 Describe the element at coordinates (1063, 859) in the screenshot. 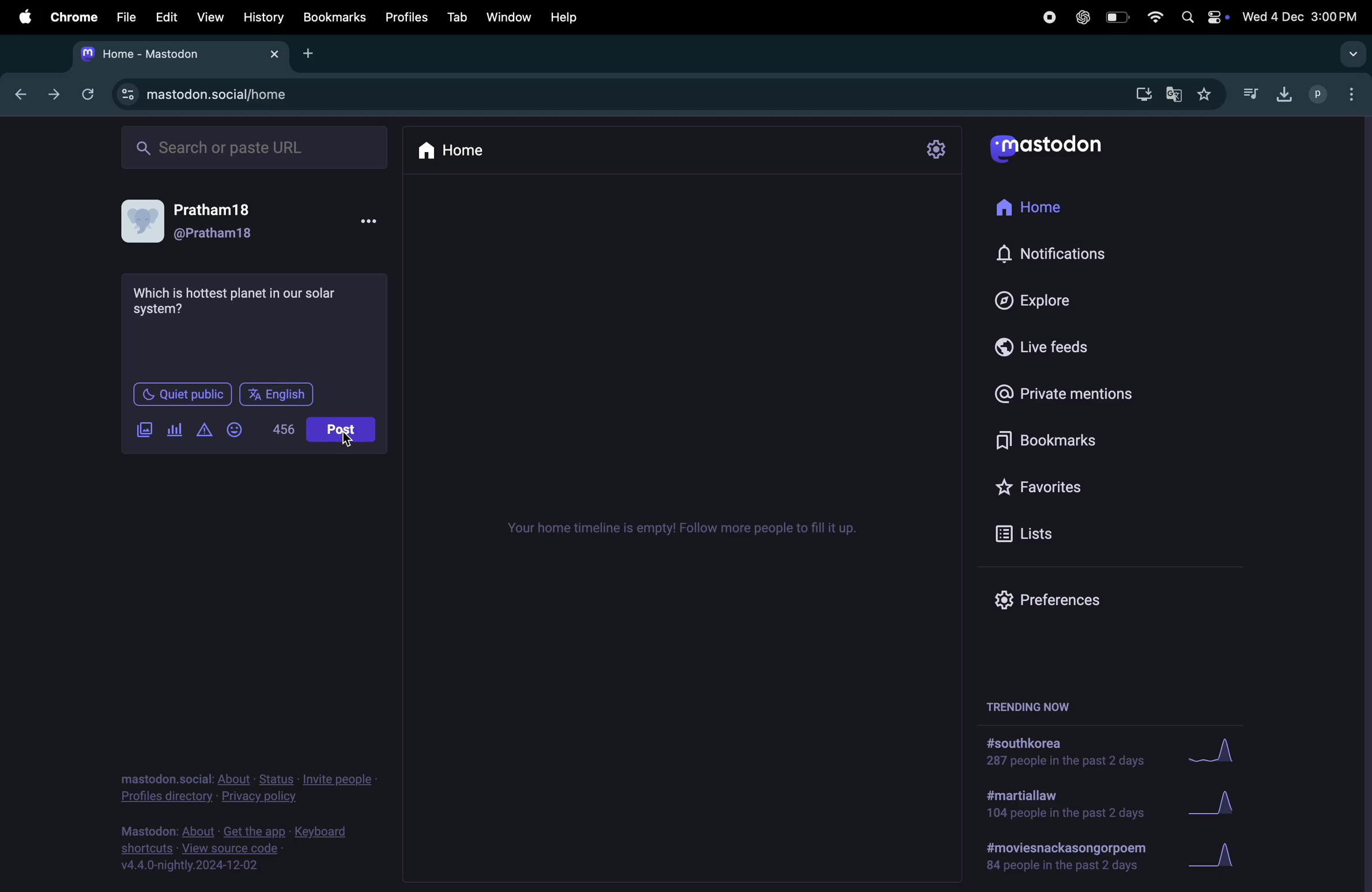

I see `#movies and poem` at that location.